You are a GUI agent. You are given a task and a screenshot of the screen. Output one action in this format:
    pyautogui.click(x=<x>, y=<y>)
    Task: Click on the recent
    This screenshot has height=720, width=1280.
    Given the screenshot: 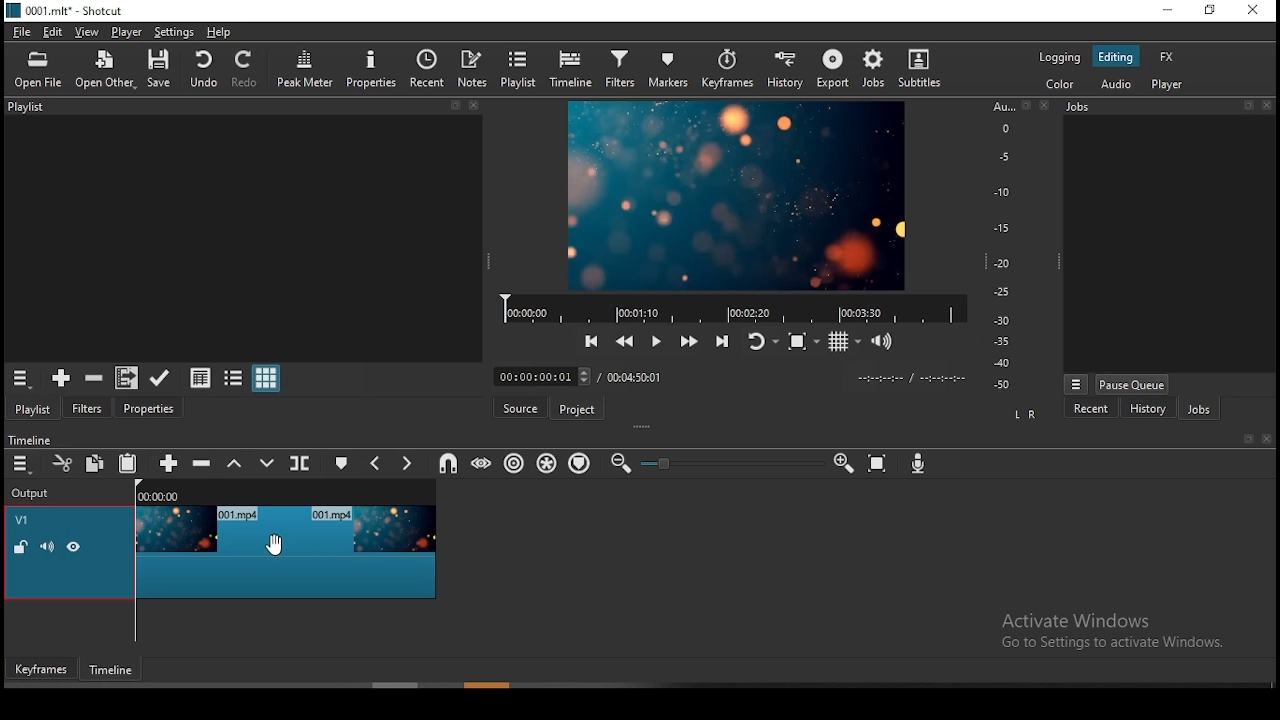 What is the action you would take?
    pyautogui.click(x=428, y=68)
    